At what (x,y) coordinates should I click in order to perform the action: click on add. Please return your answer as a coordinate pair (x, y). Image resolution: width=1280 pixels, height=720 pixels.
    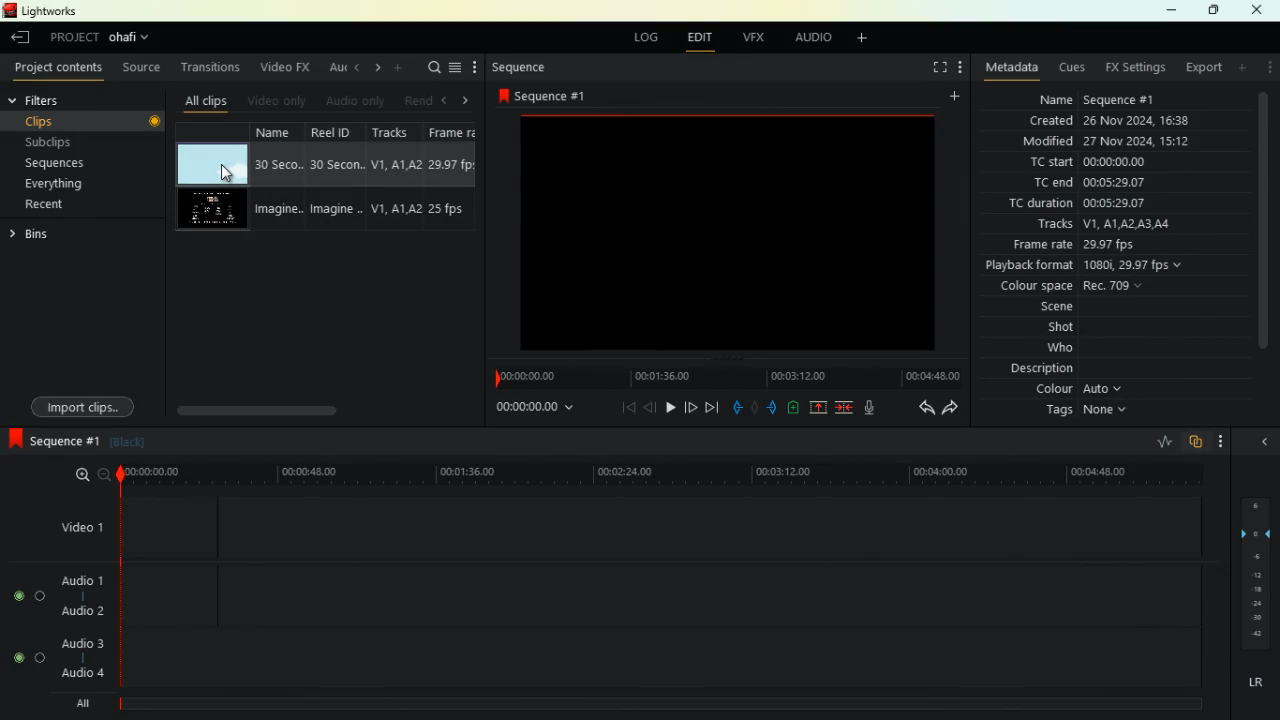
    Looking at the image, I should click on (858, 41).